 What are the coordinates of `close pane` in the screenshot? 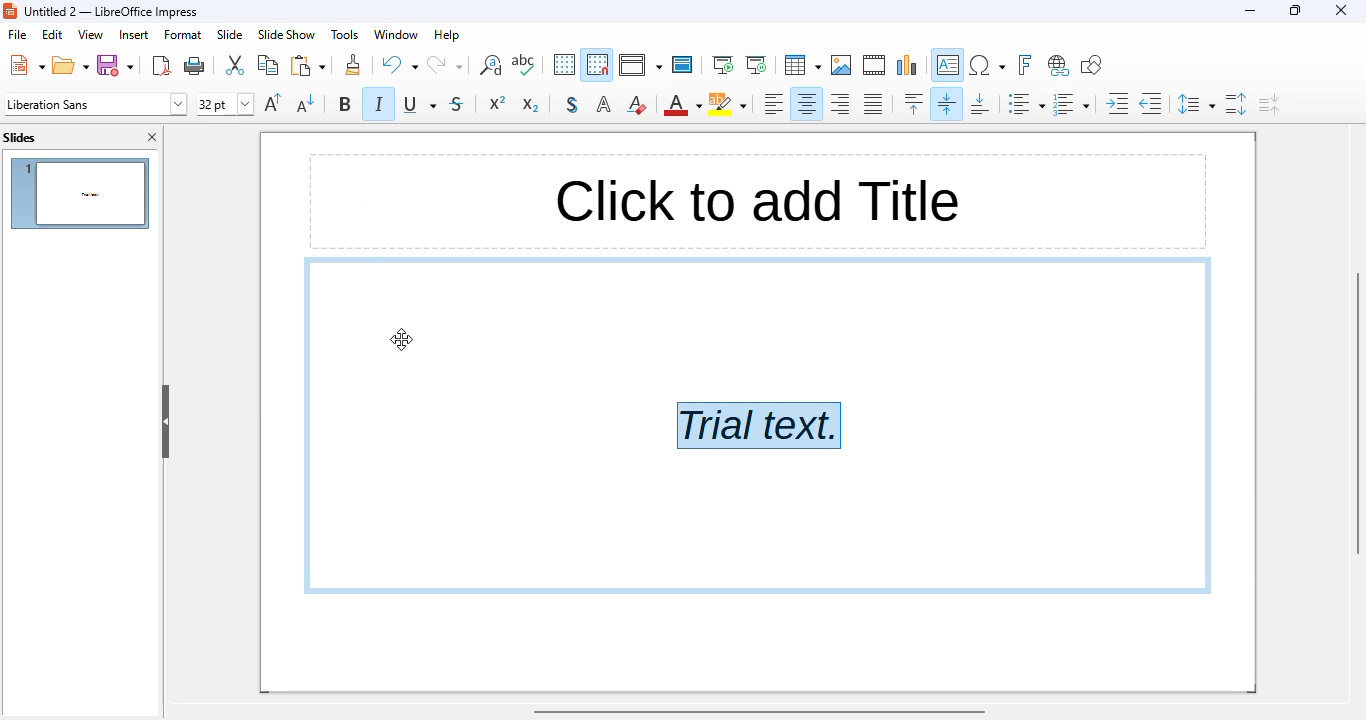 It's located at (152, 137).